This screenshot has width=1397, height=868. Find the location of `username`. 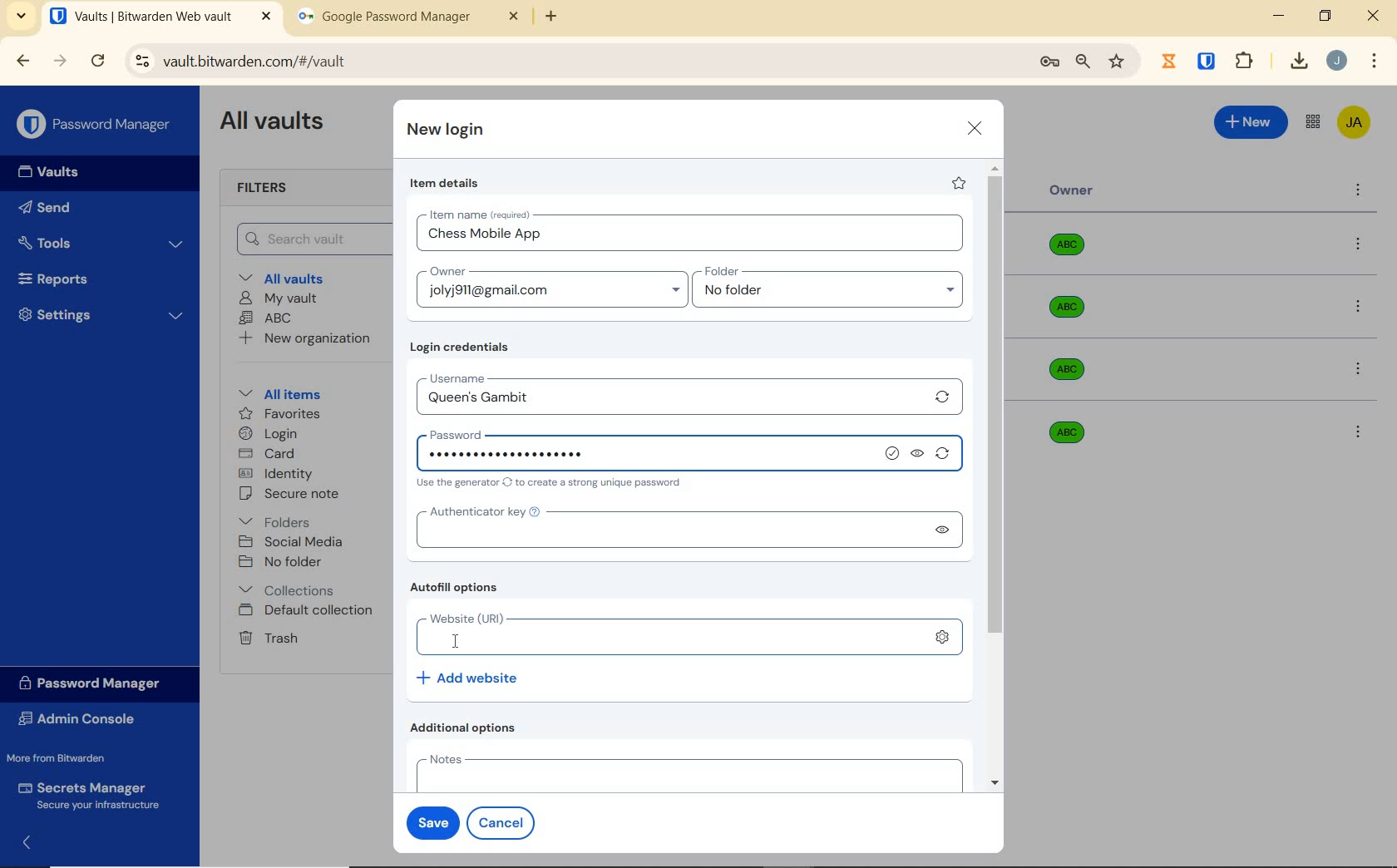

username is located at coordinates (504, 376).